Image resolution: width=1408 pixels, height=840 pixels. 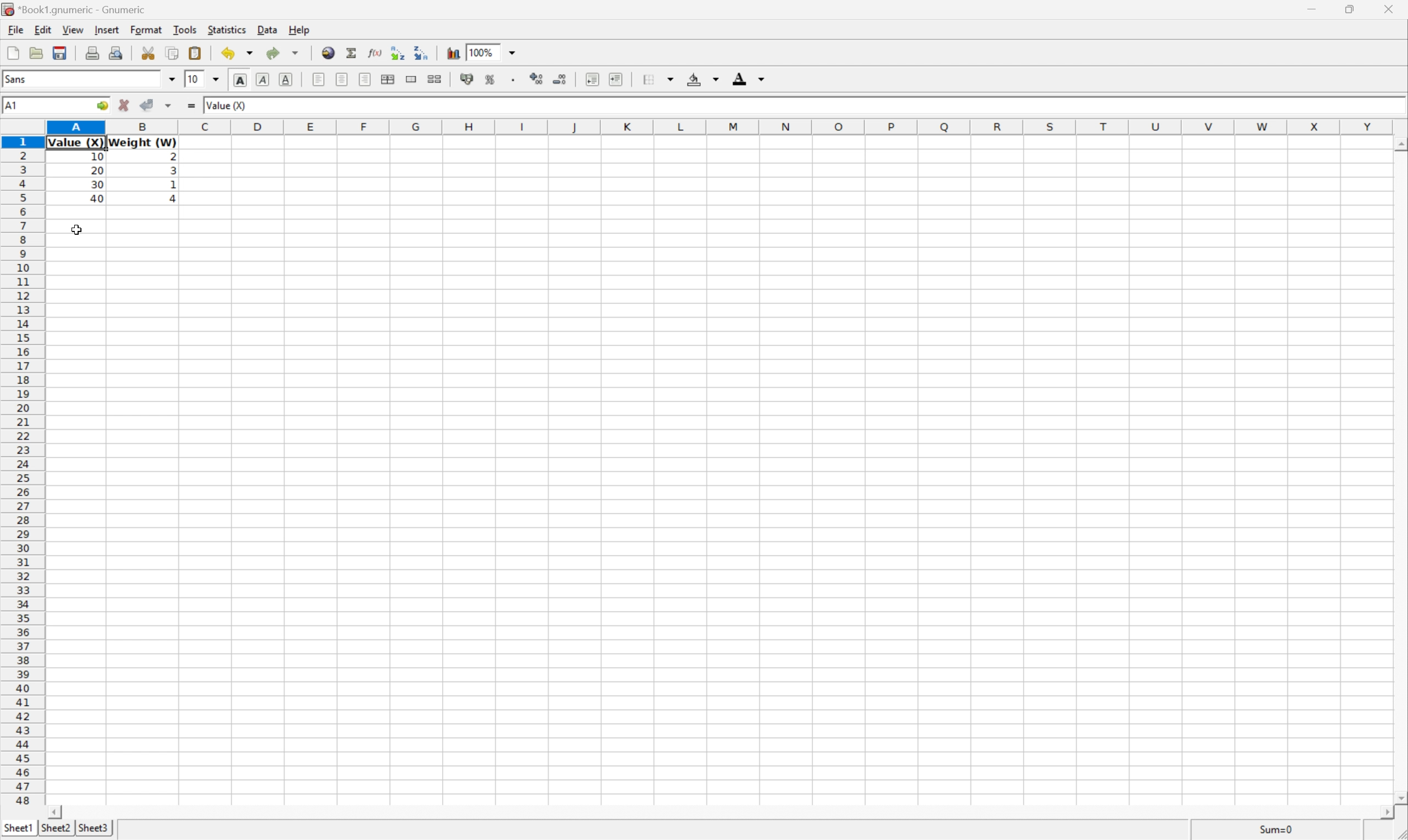 What do you see at coordinates (177, 53) in the screenshot?
I see `Copy selection` at bounding box center [177, 53].